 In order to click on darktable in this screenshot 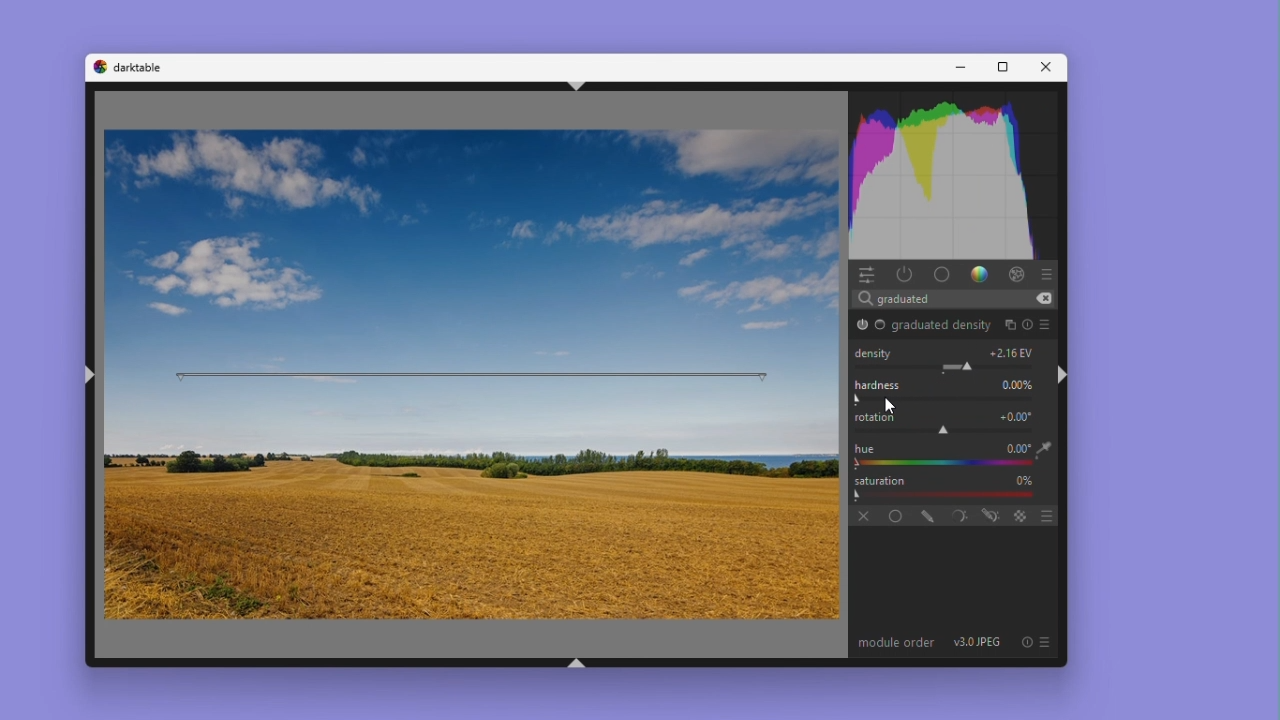, I will do `click(143, 67)`.